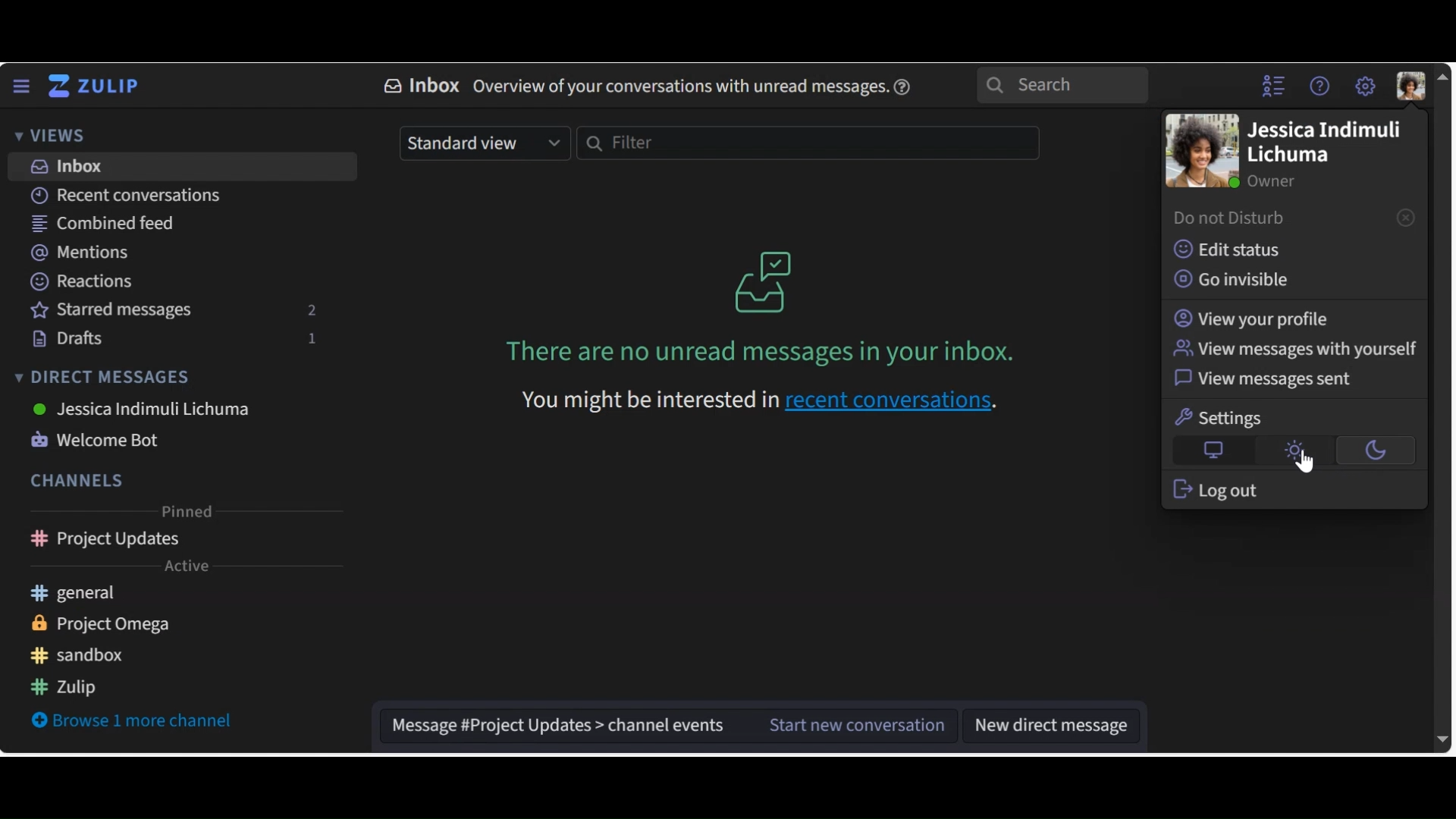 Image resolution: width=1456 pixels, height=819 pixels. I want to click on Browse 1 more channel, so click(135, 722).